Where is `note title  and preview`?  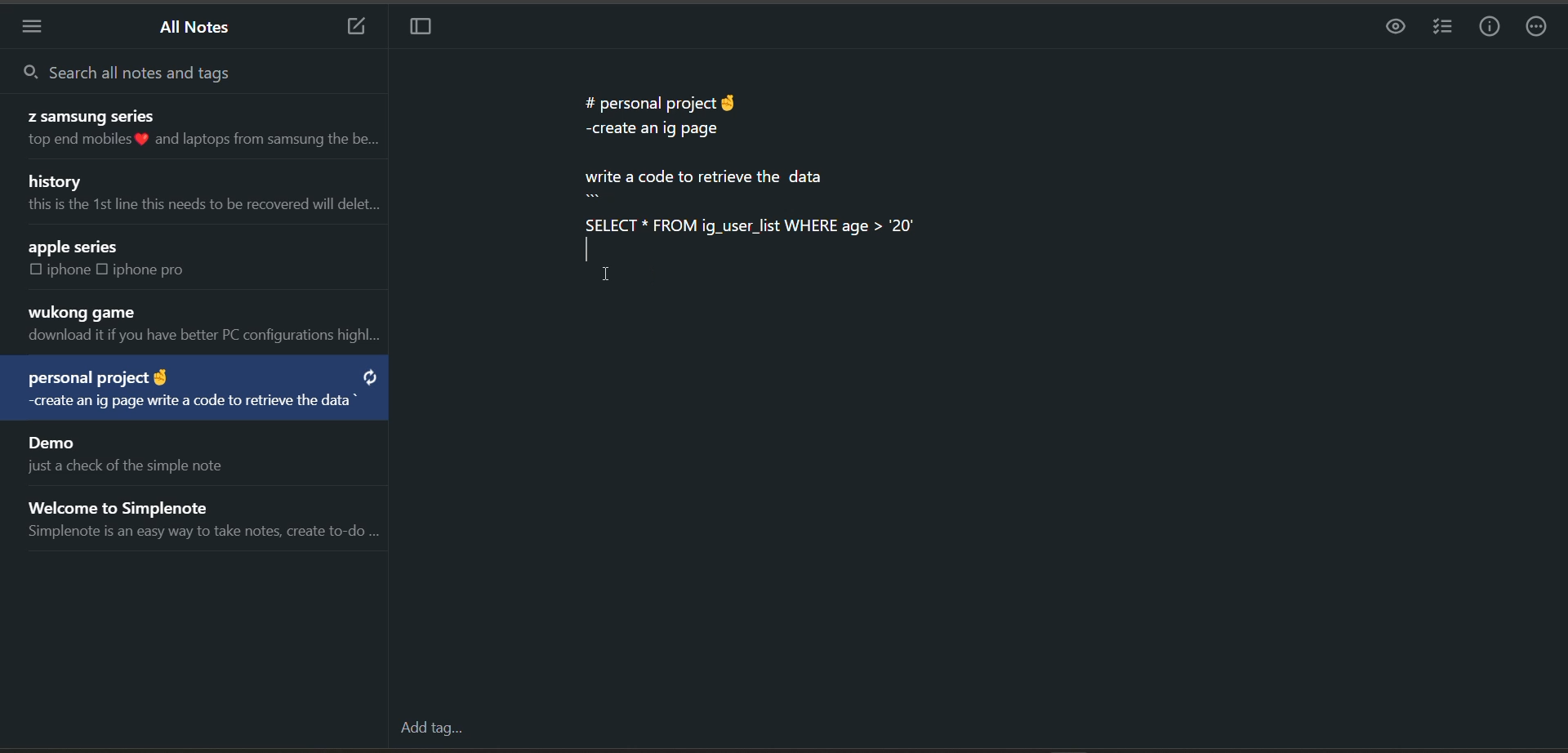 note title  and preview is located at coordinates (169, 259).